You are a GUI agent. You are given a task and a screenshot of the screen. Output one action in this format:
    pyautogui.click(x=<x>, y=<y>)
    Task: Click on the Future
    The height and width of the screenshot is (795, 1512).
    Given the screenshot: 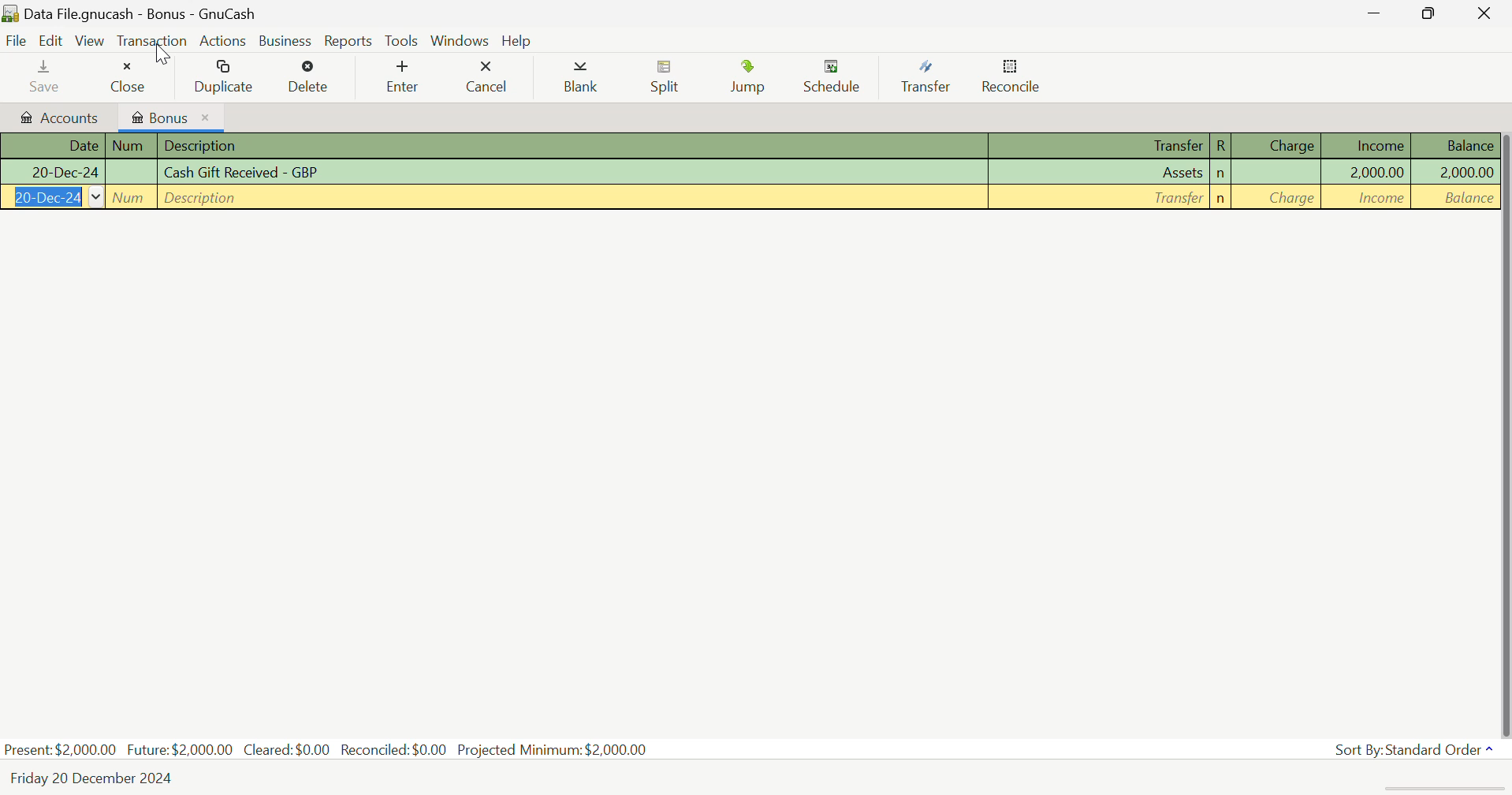 What is the action you would take?
    pyautogui.click(x=181, y=748)
    